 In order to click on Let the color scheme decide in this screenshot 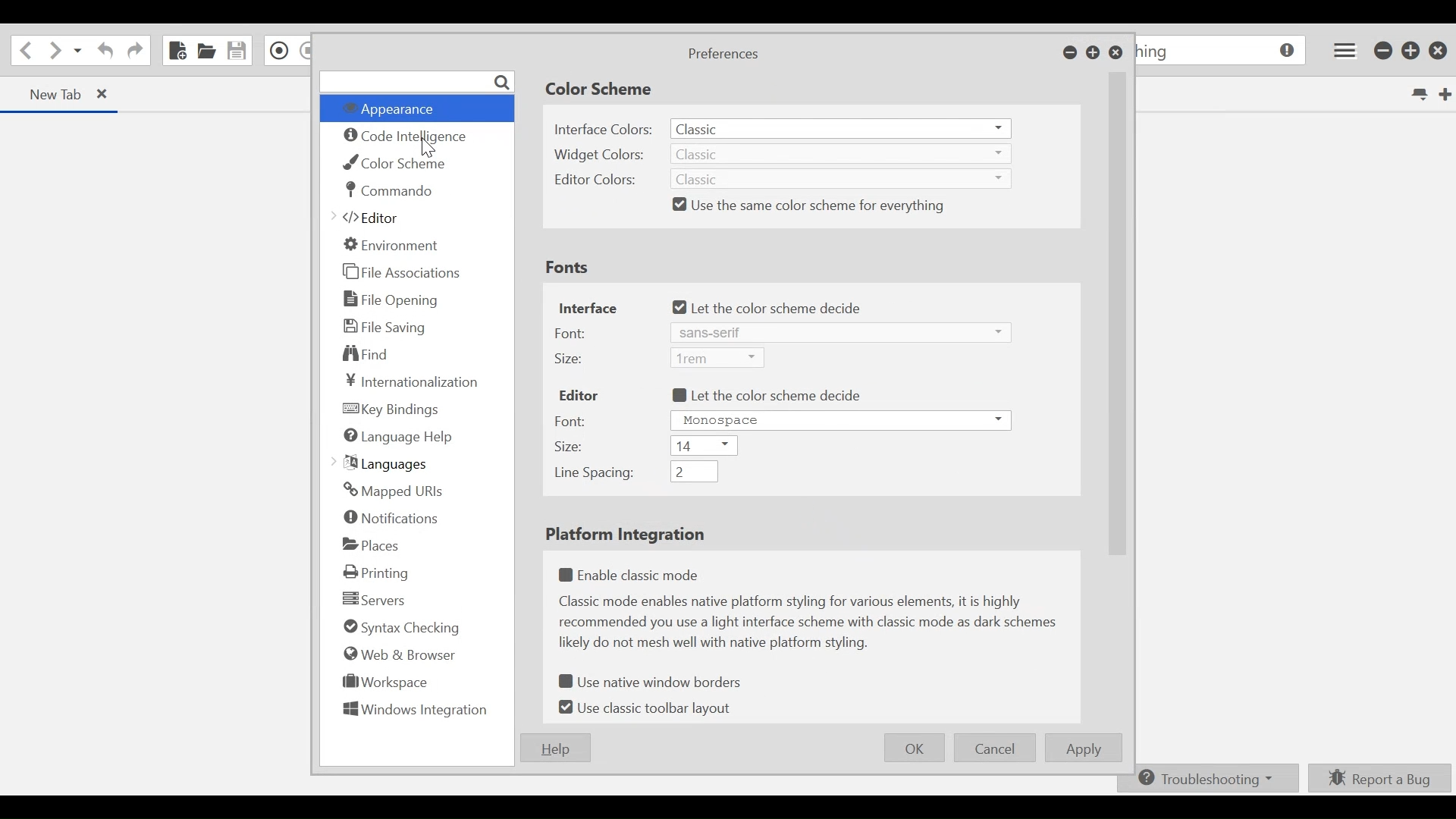, I will do `click(770, 308)`.